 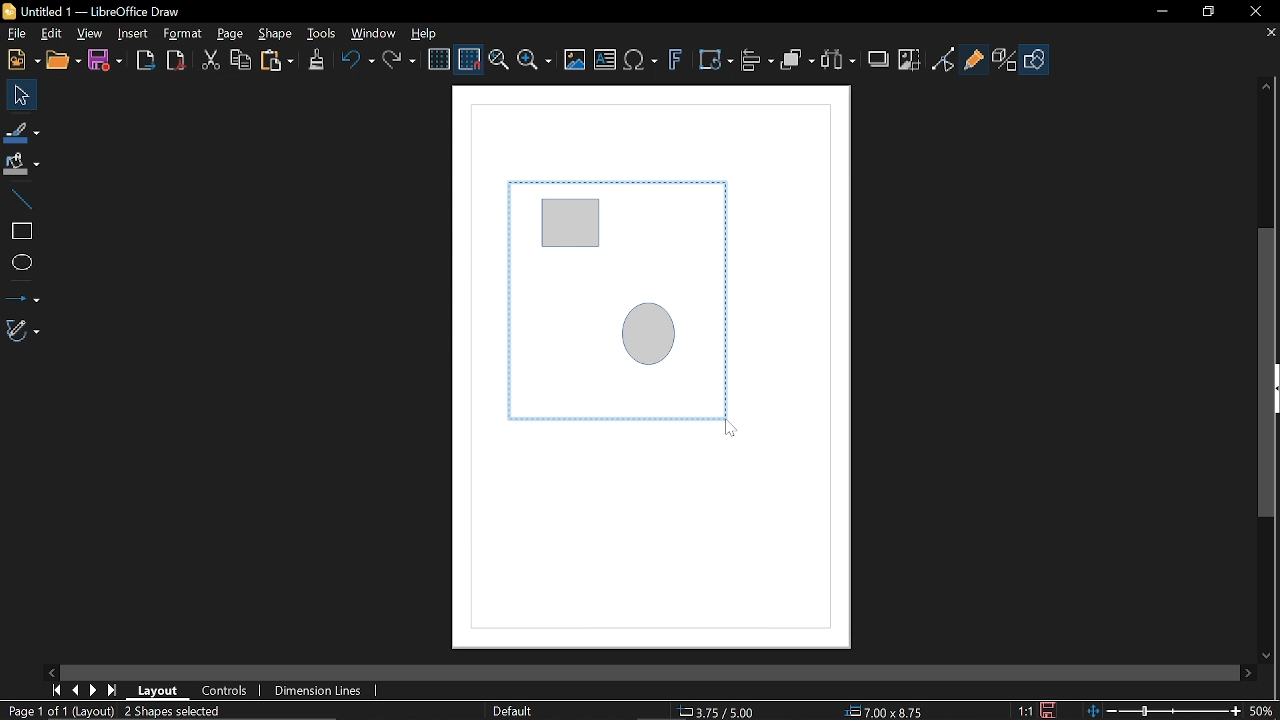 What do you see at coordinates (715, 61) in the screenshot?
I see `Transform` at bounding box center [715, 61].